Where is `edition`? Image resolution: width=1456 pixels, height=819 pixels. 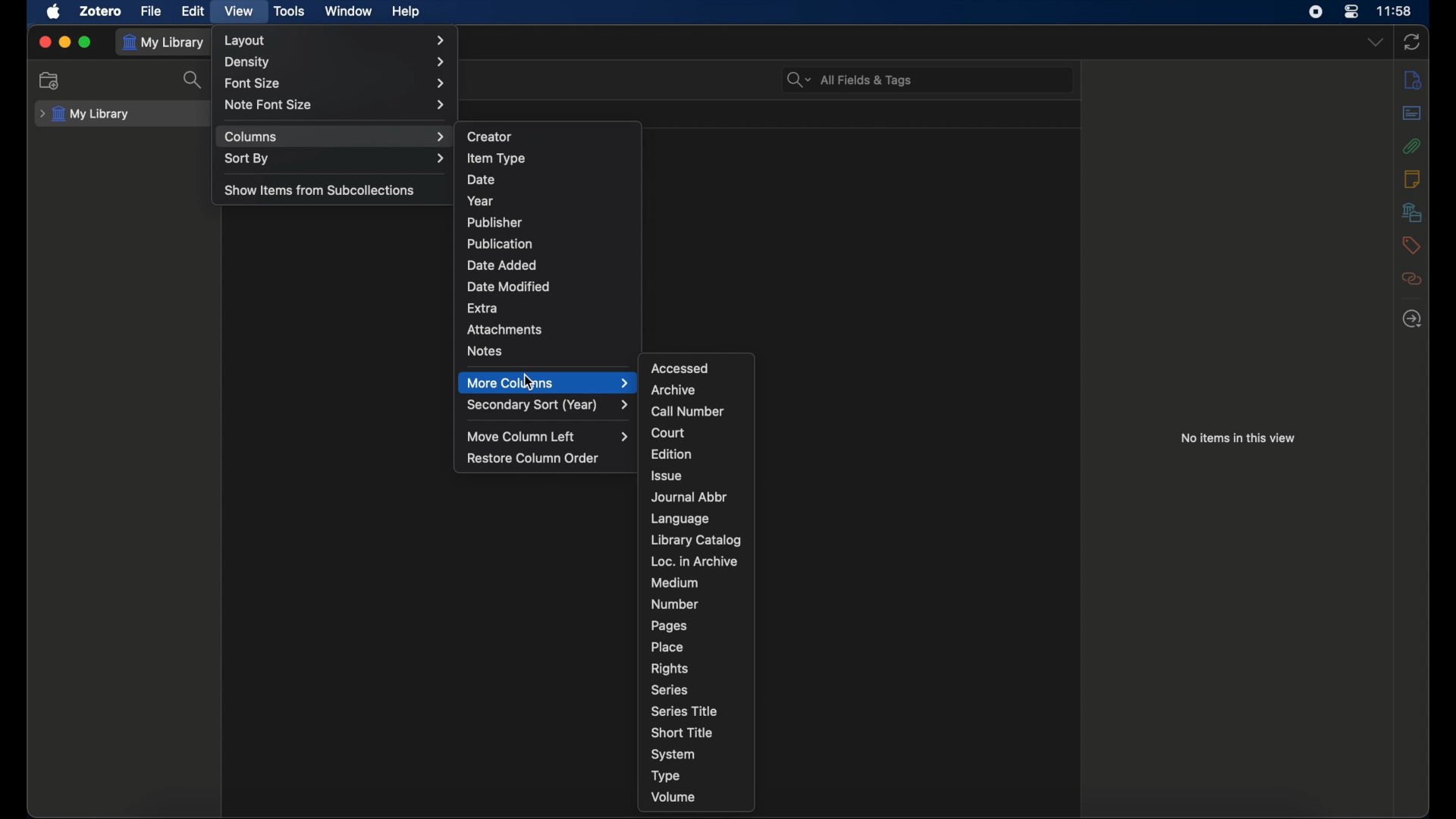 edition is located at coordinates (670, 453).